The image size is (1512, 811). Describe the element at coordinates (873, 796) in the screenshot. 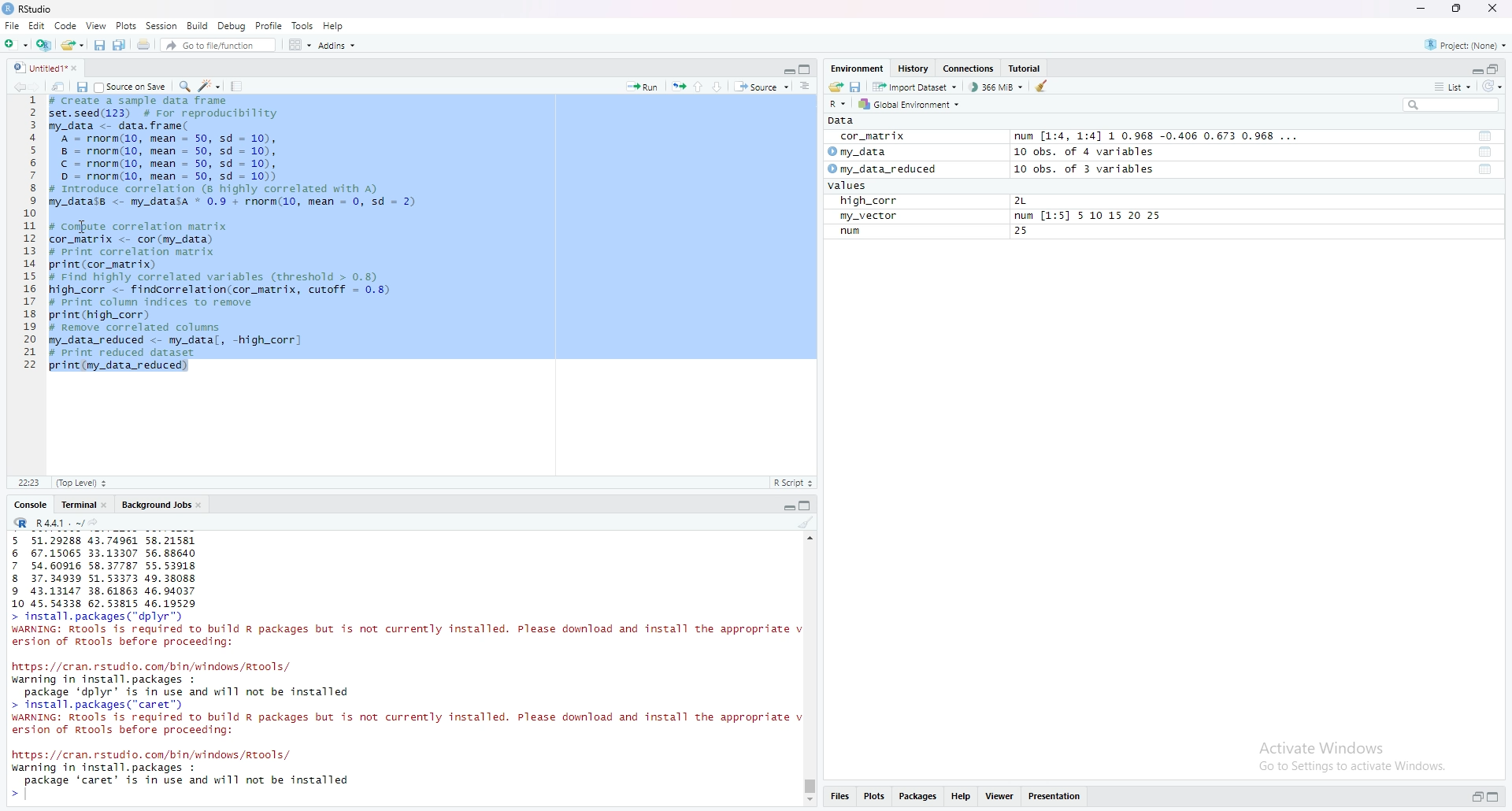

I see `Plots` at that location.